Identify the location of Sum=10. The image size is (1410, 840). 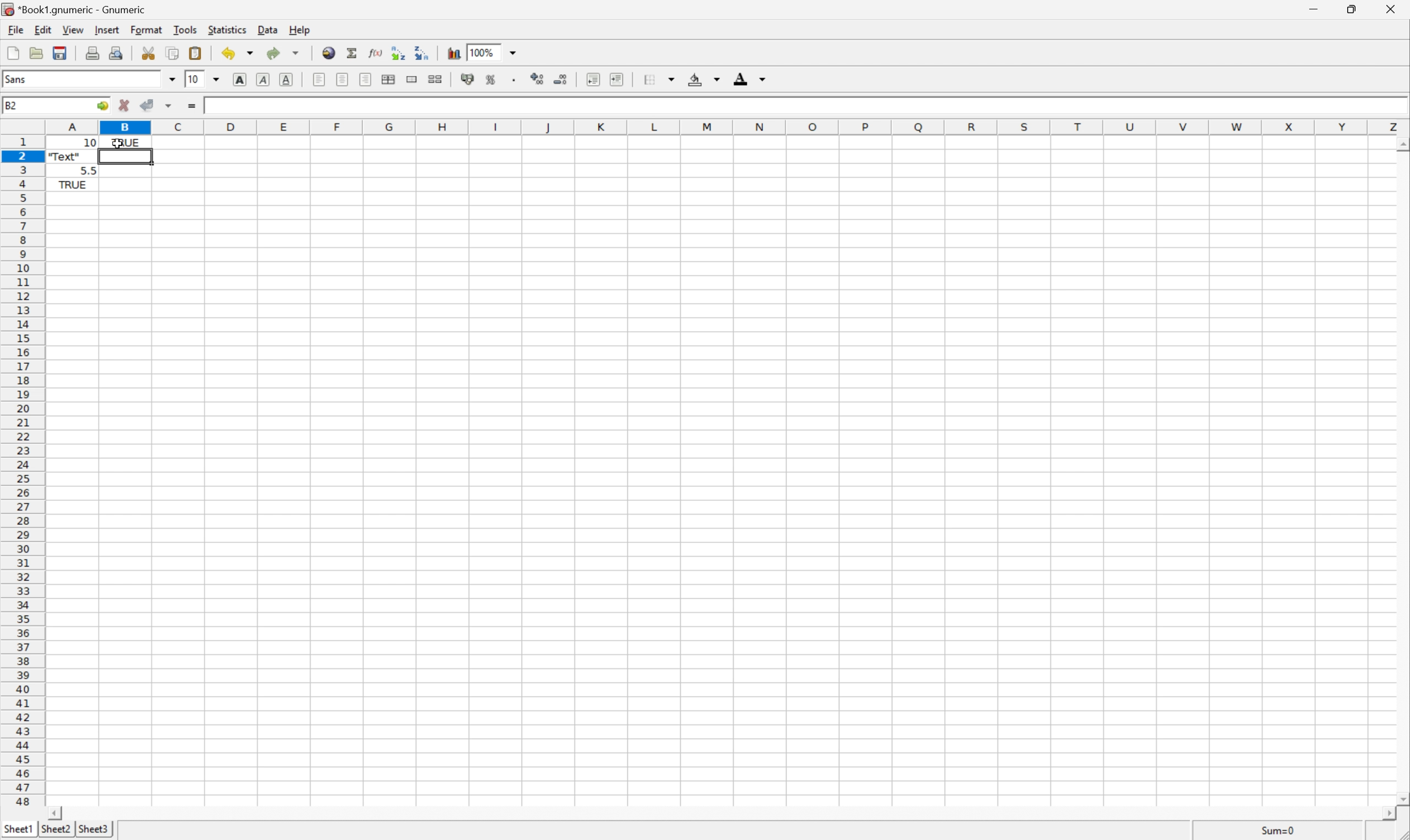
(1280, 828).